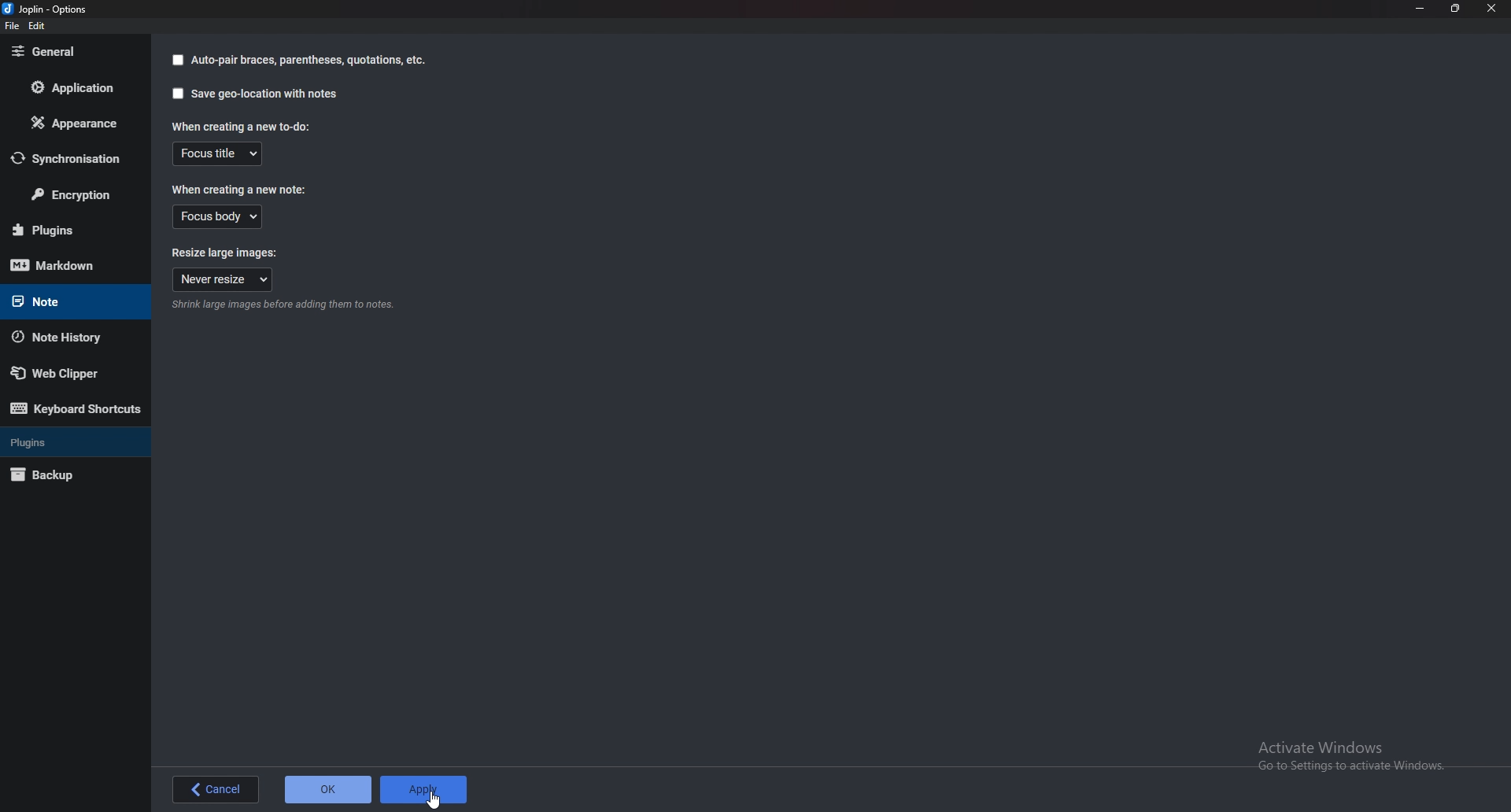 Image resolution: width=1511 pixels, height=812 pixels. I want to click on o K, so click(330, 790).